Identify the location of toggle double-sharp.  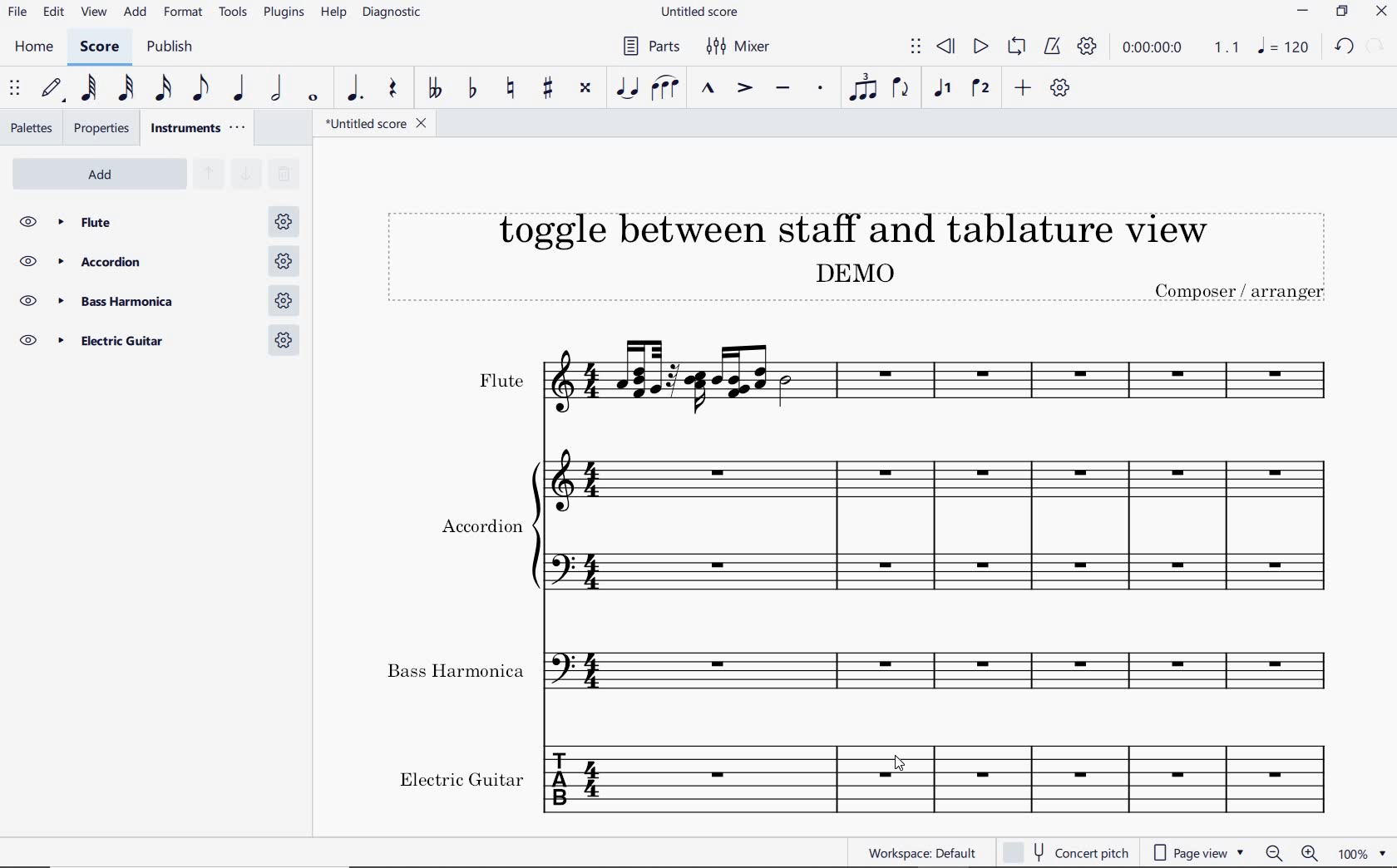
(586, 89).